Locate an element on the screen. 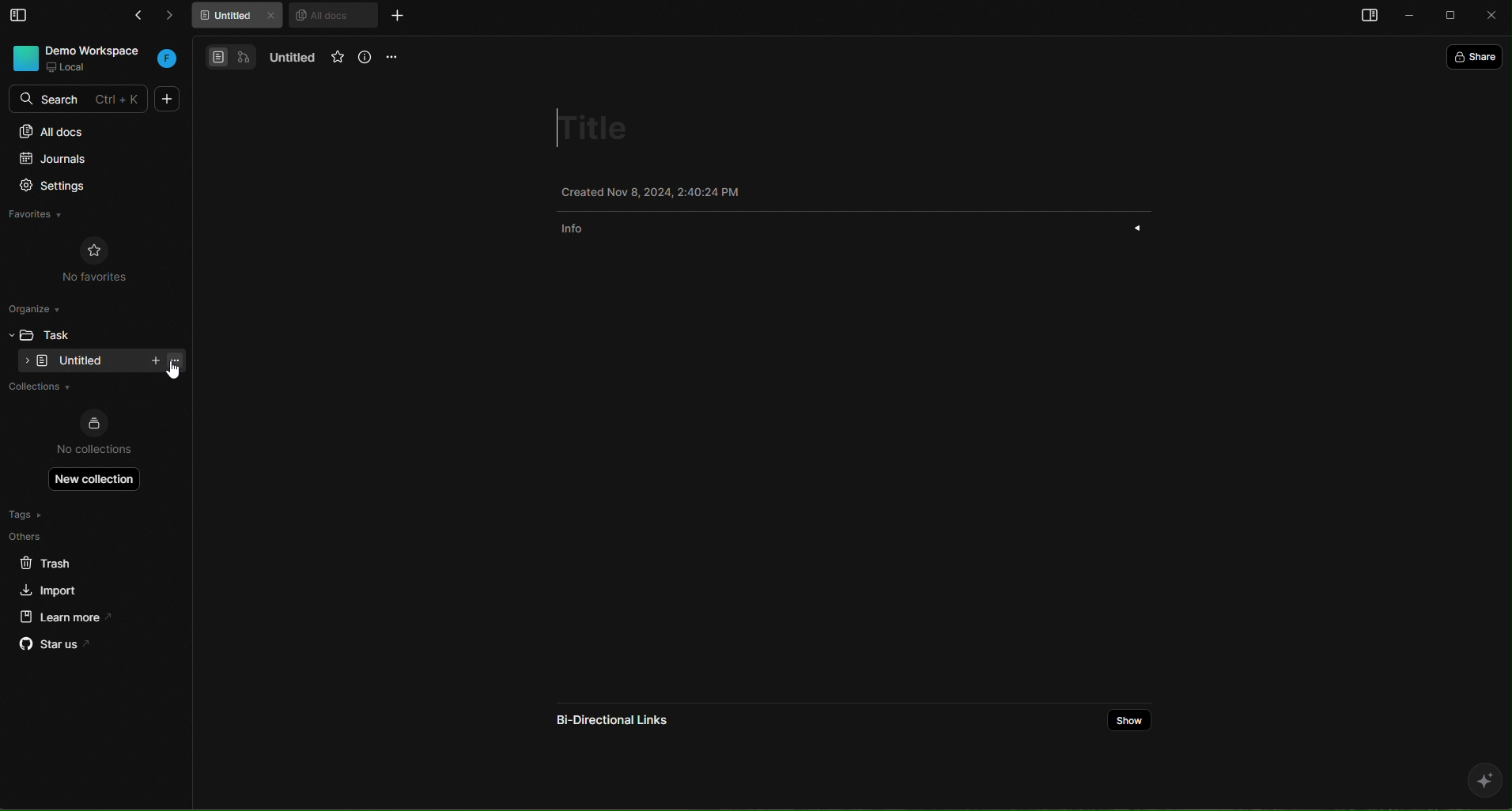 This screenshot has height=811, width=1512. untitled is located at coordinates (289, 58).